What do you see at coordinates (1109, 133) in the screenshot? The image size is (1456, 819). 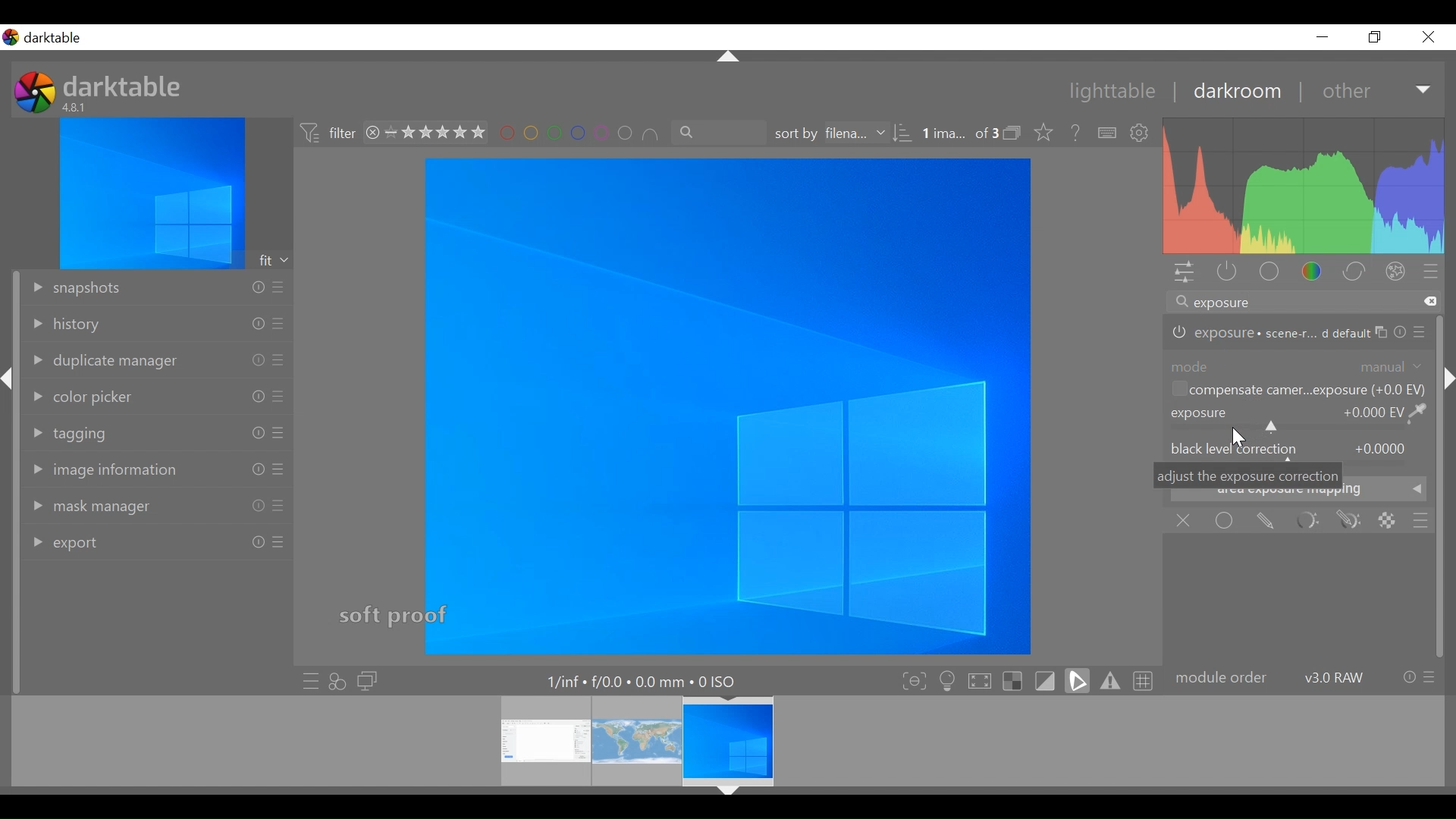 I see `define shortcuts` at bounding box center [1109, 133].